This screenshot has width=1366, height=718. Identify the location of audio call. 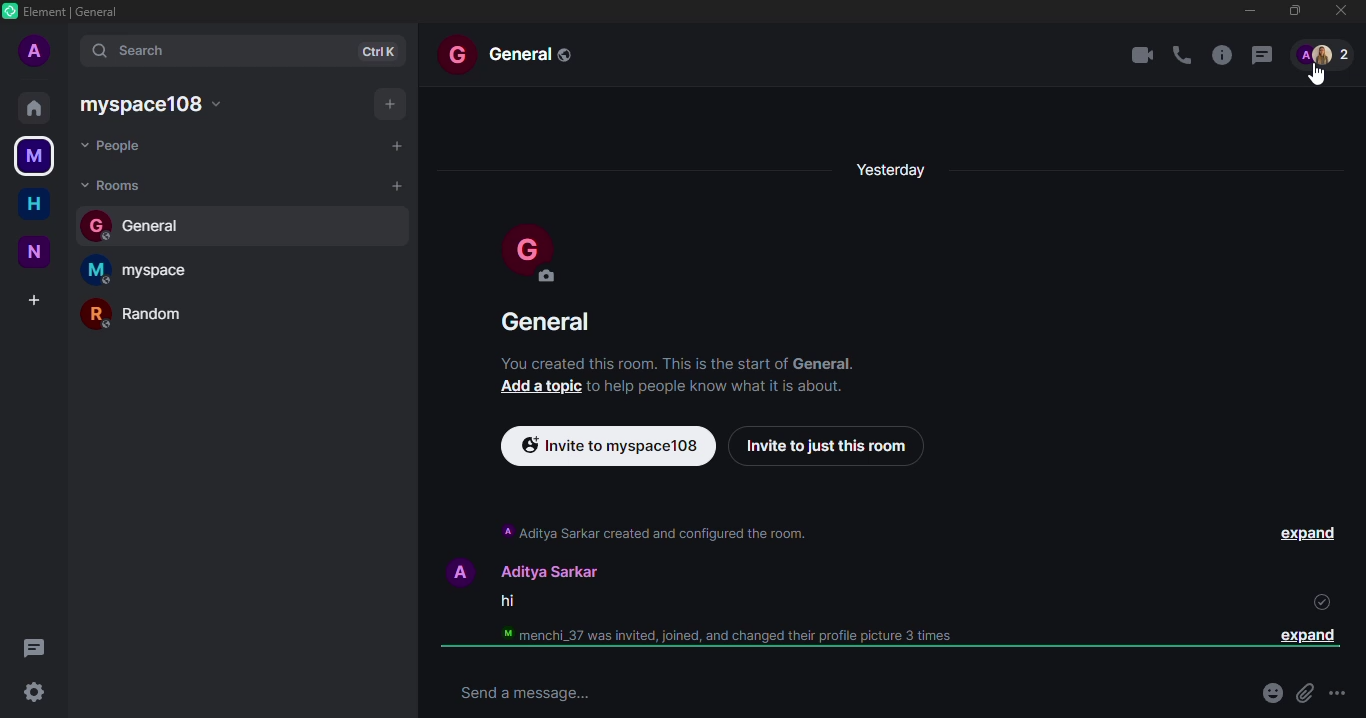
(1181, 55).